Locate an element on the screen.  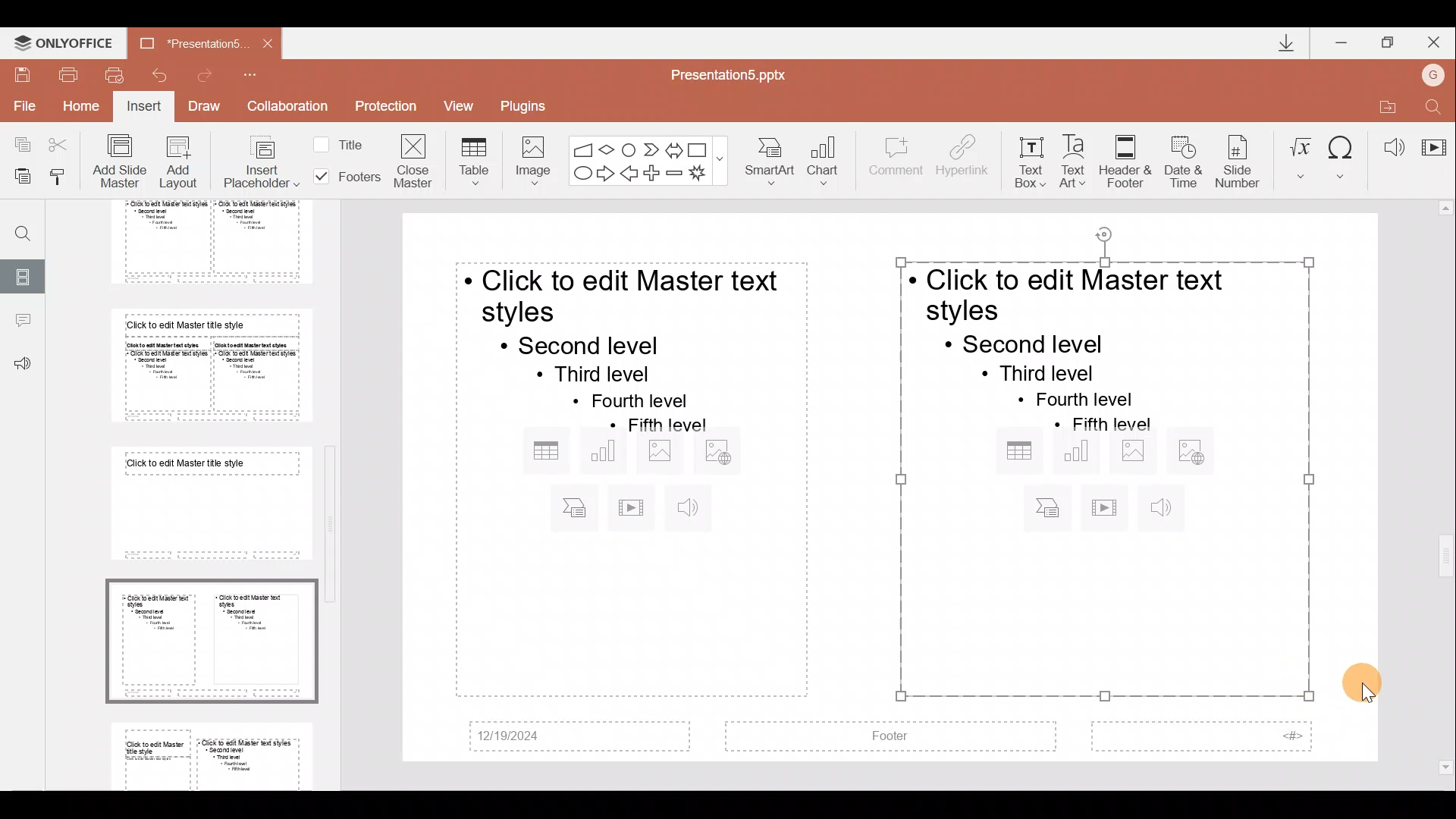
Account name is located at coordinates (1436, 73).